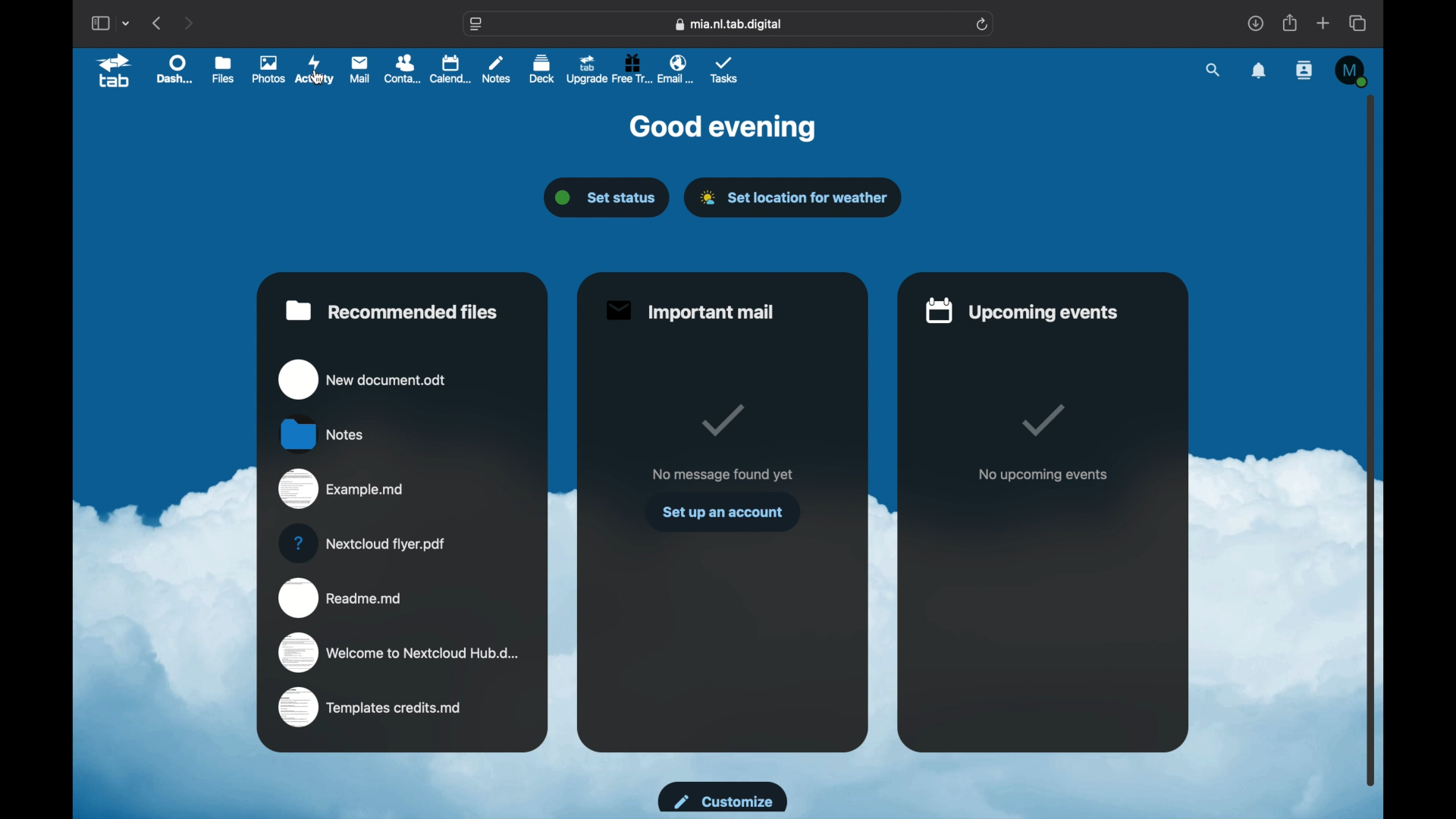  What do you see at coordinates (724, 513) in the screenshot?
I see `set upan account` at bounding box center [724, 513].